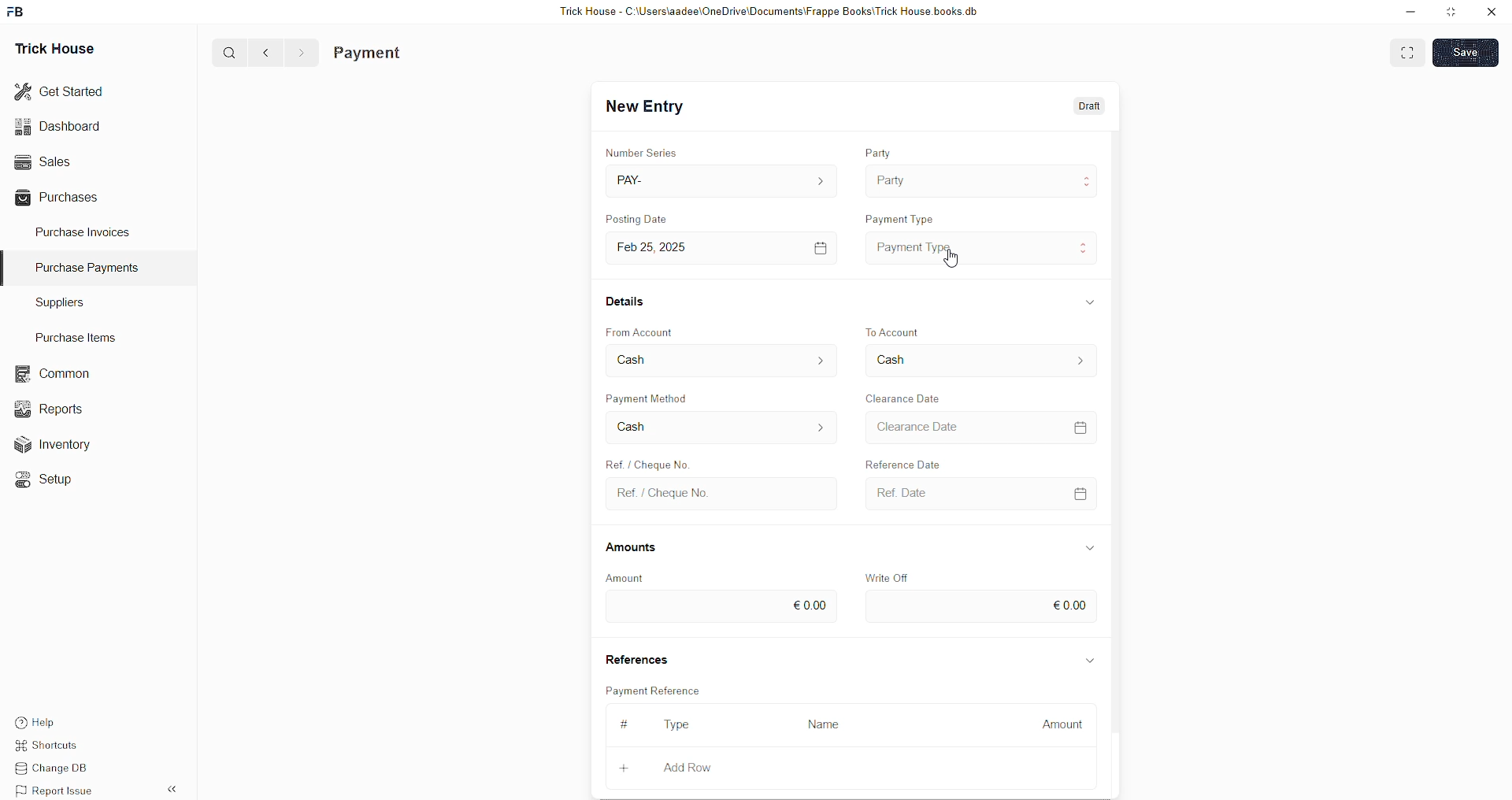 Image resolution: width=1512 pixels, height=800 pixels. Describe the element at coordinates (55, 374) in the screenshot. I see `common` at that location.